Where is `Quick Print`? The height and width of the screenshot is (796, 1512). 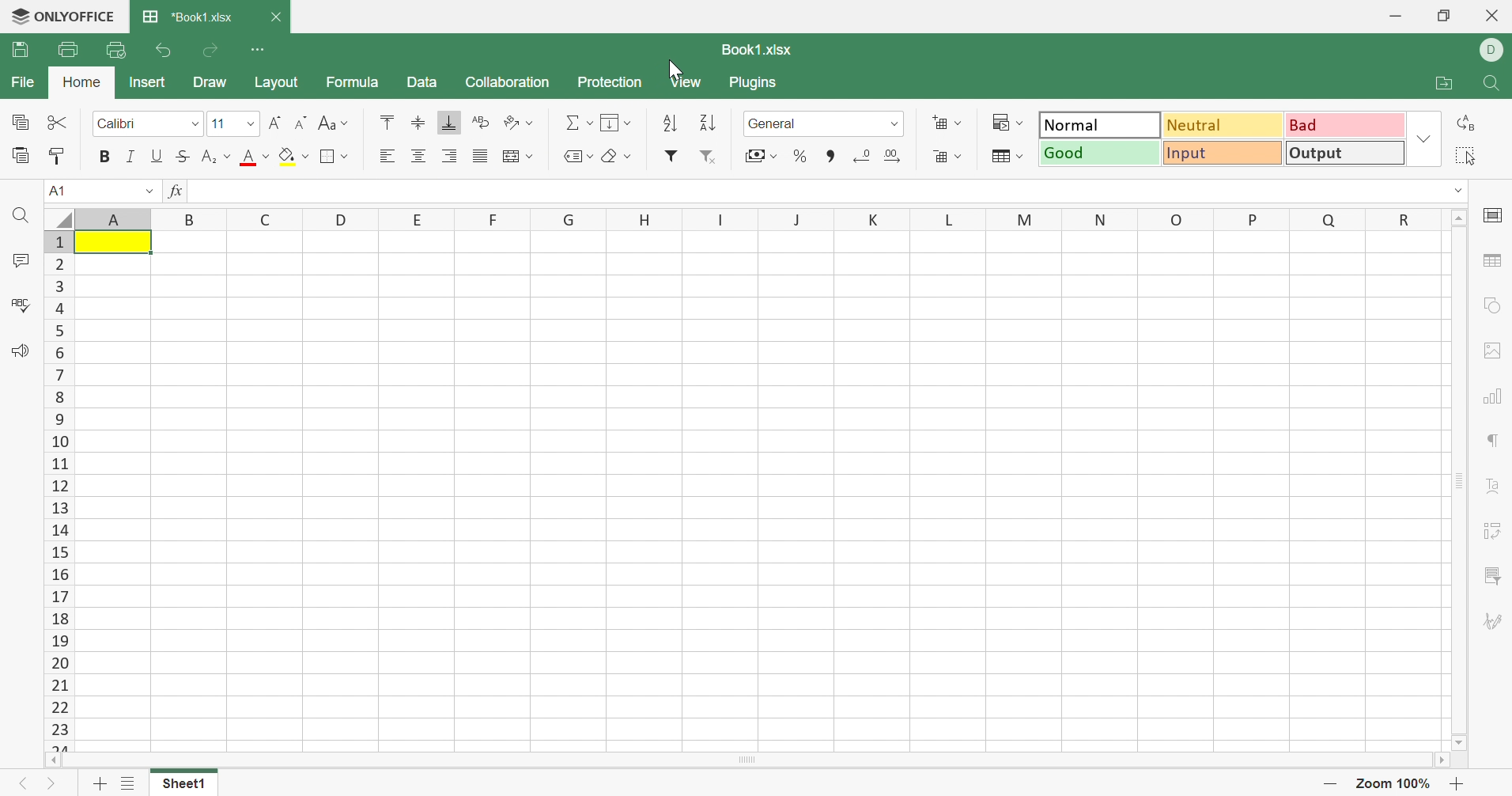 Quick Print is located at coordinates (116, 50).